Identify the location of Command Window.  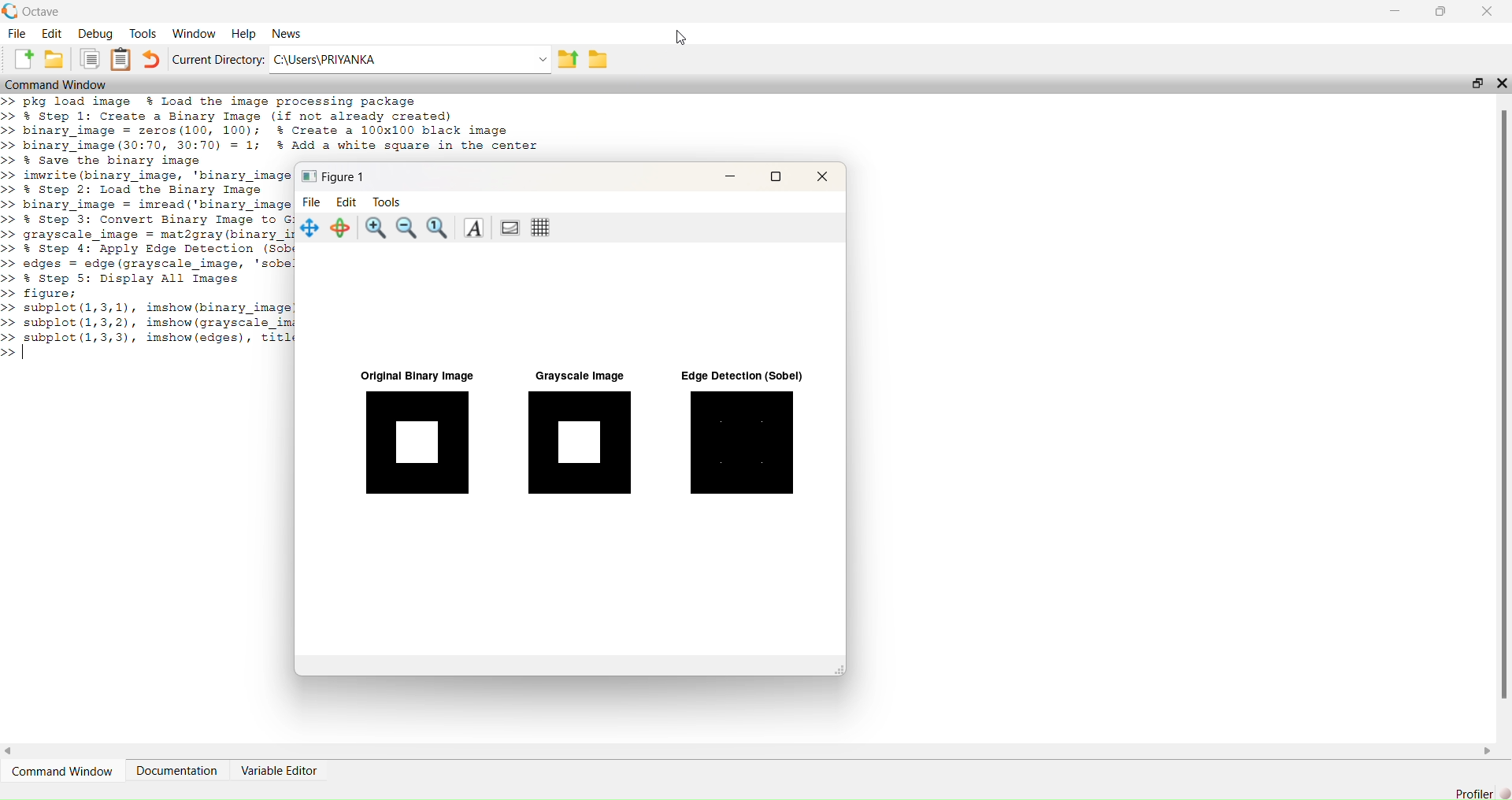
(57, 83).